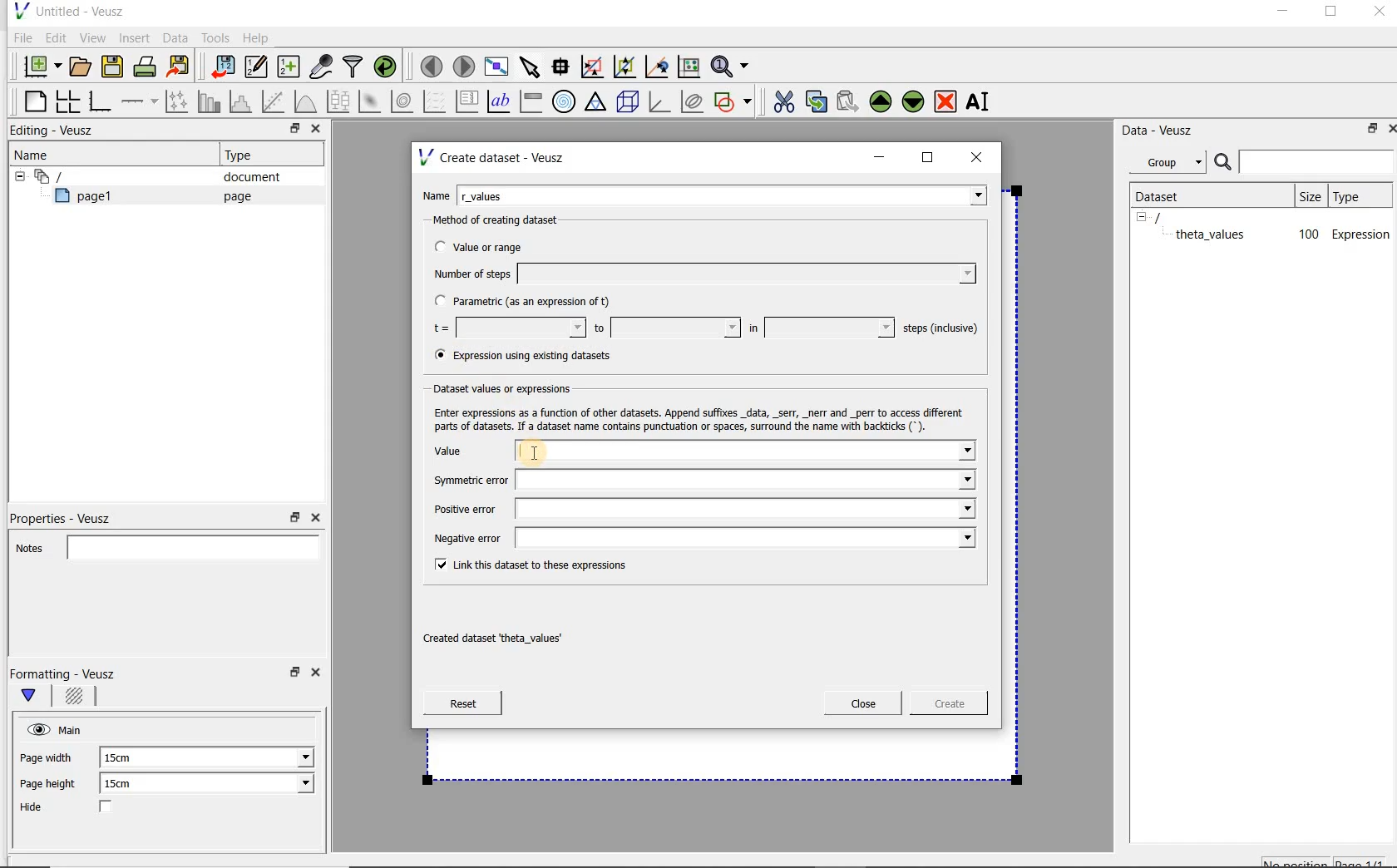  What do you see at coordinates (178, 101) in the screenshot?
I see `Plot points with lines and error bars` at bounding box center [178, 101].